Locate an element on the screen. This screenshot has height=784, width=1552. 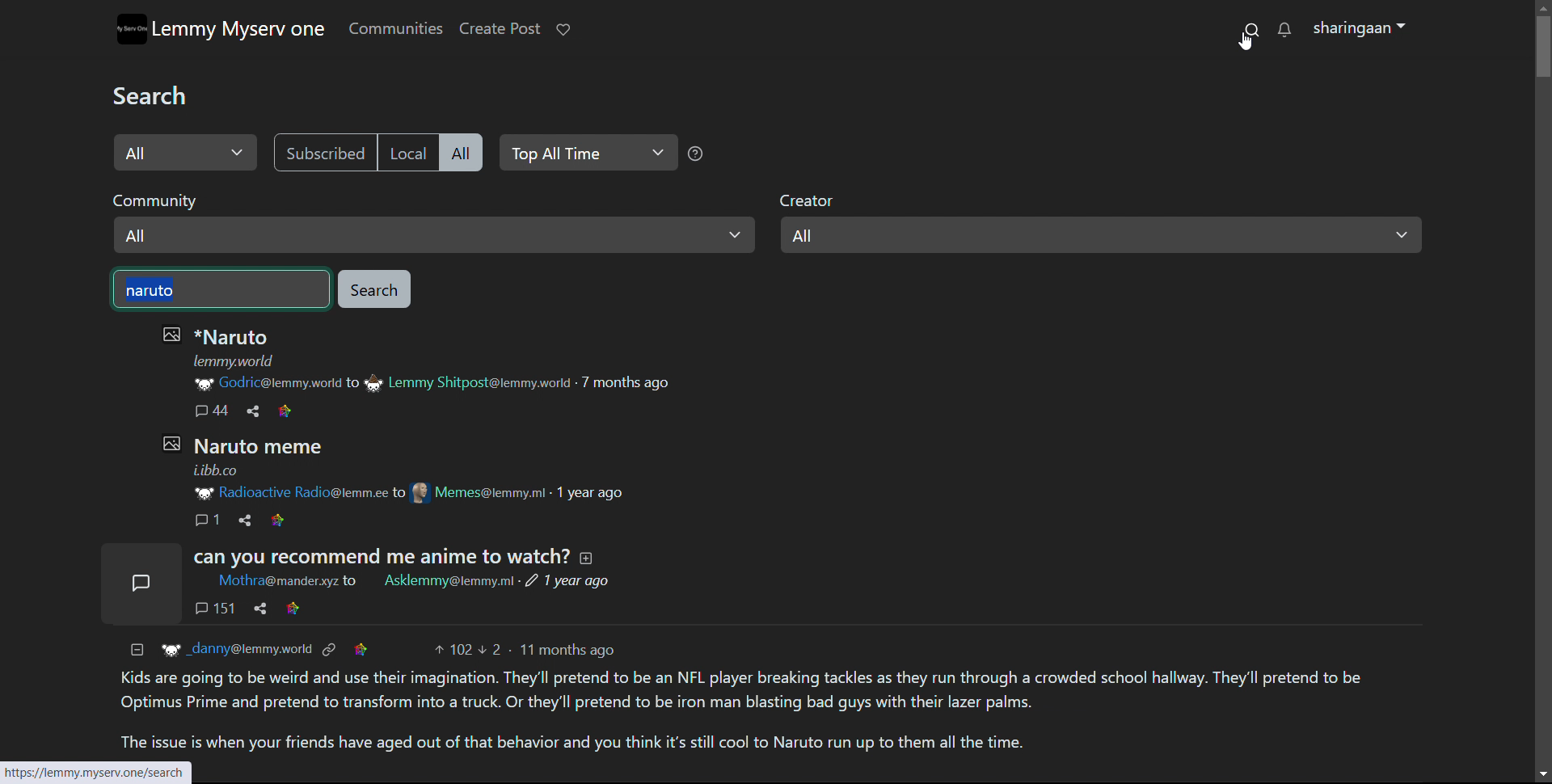
select relevance (Top all time) is located at coordinates (586, 153).